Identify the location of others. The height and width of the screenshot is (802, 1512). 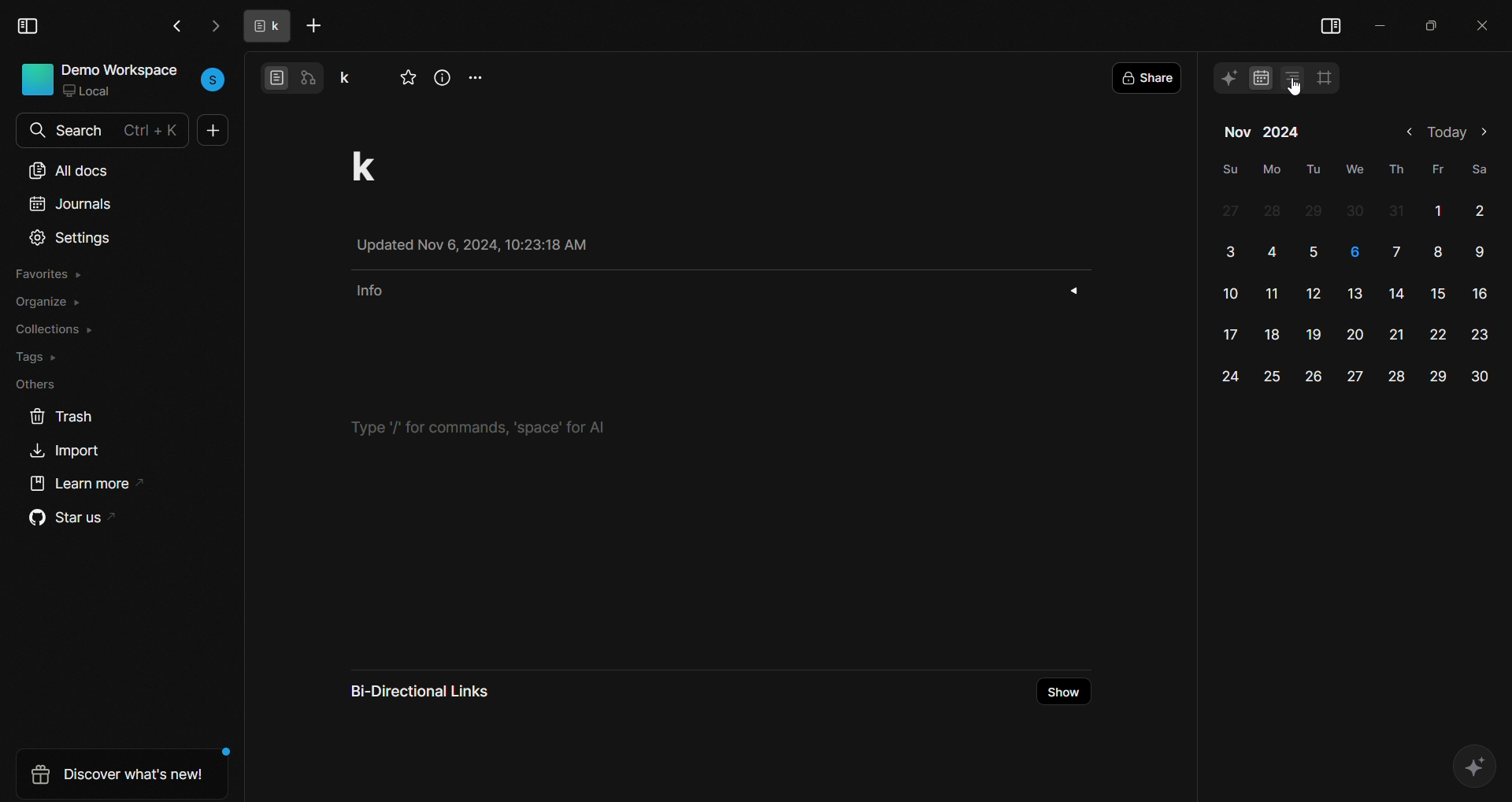
(32, 384).